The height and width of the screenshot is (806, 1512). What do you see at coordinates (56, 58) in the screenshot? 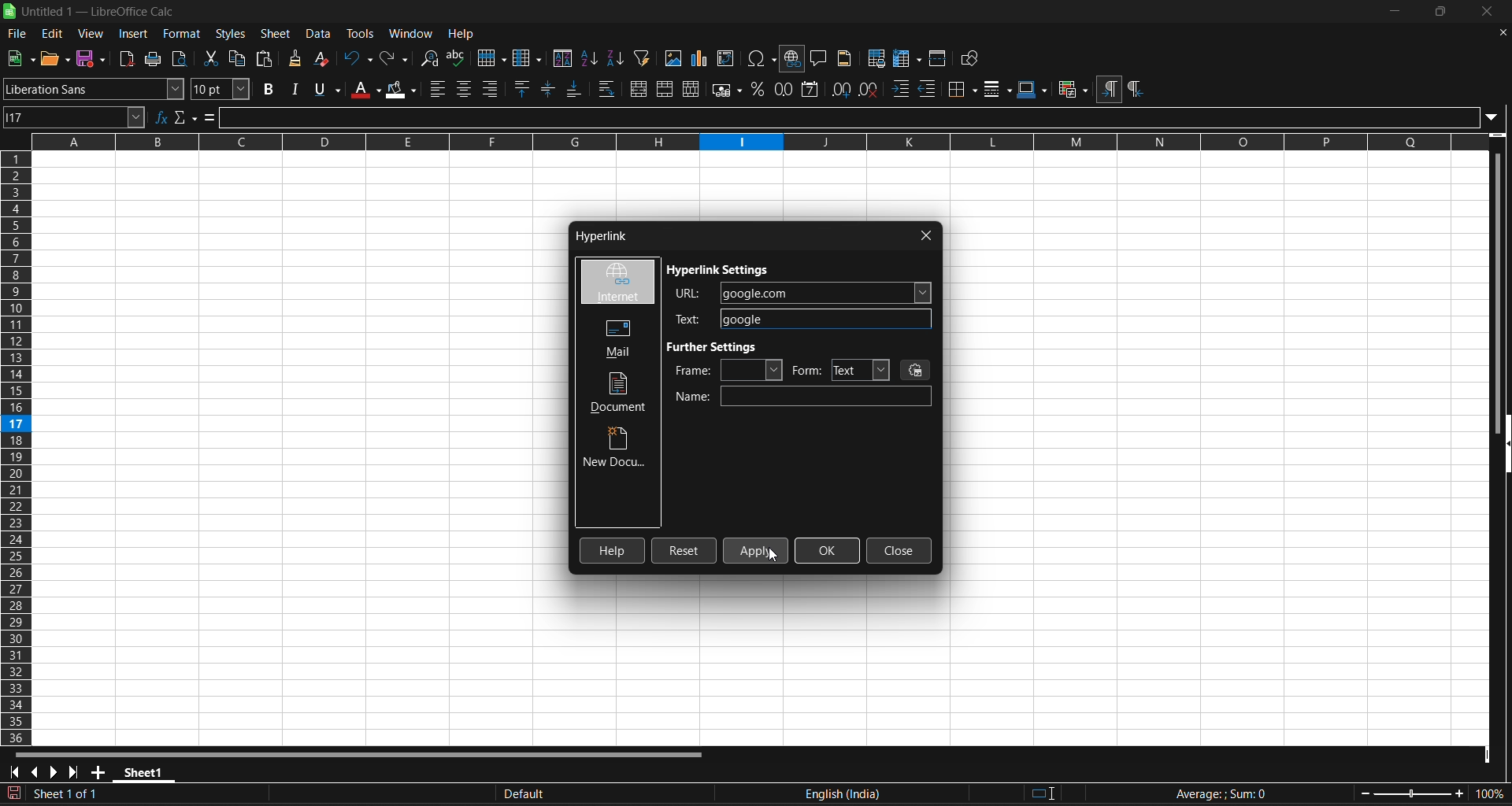
I see `new` at bounding box center [56, 58].